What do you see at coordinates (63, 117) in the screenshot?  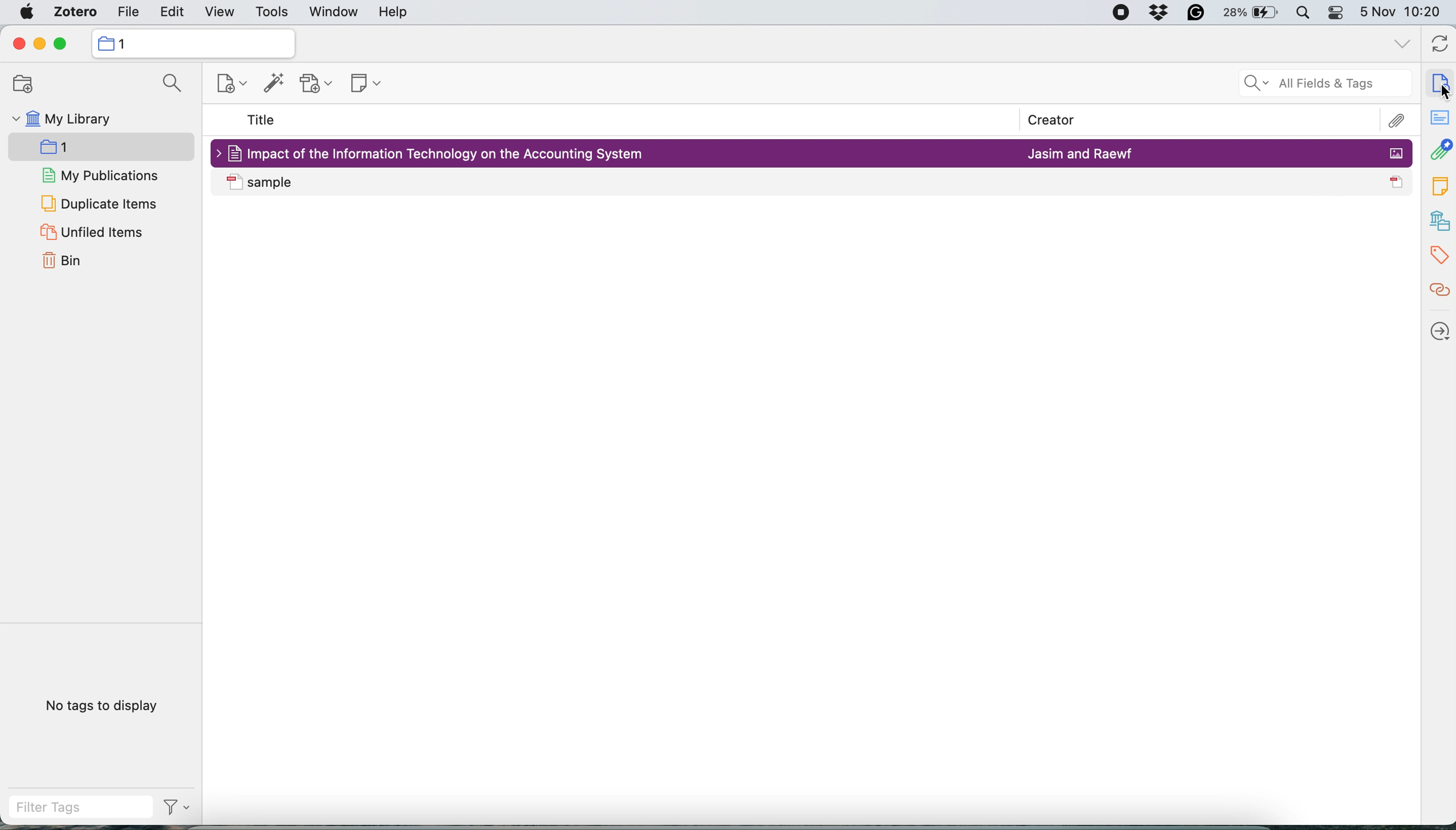 I see `my library` at bounding box center [63, 117].